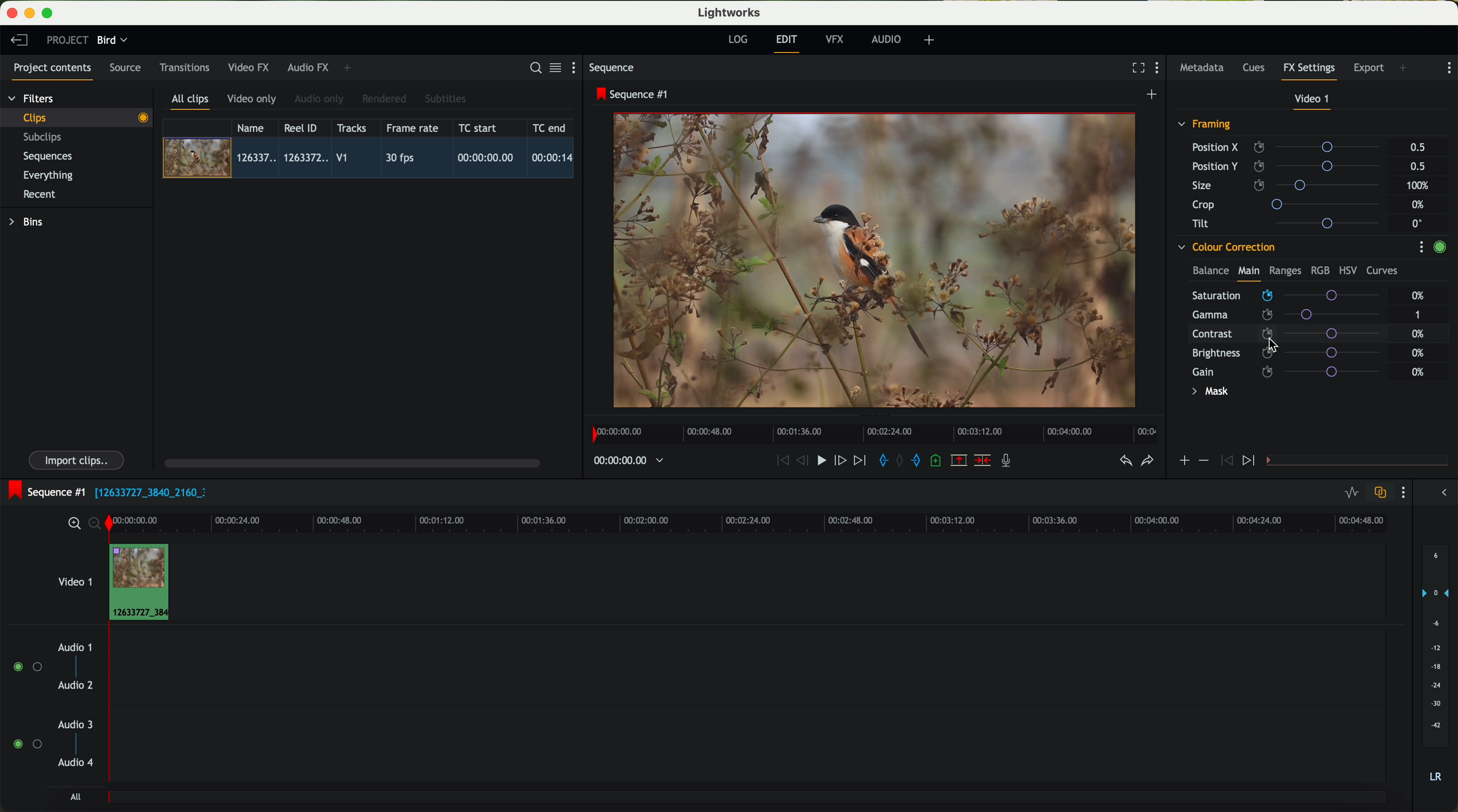  Describe the element at coordinates (1378, 493) in the screenshot. I see `toggle auto track sync` at that location.